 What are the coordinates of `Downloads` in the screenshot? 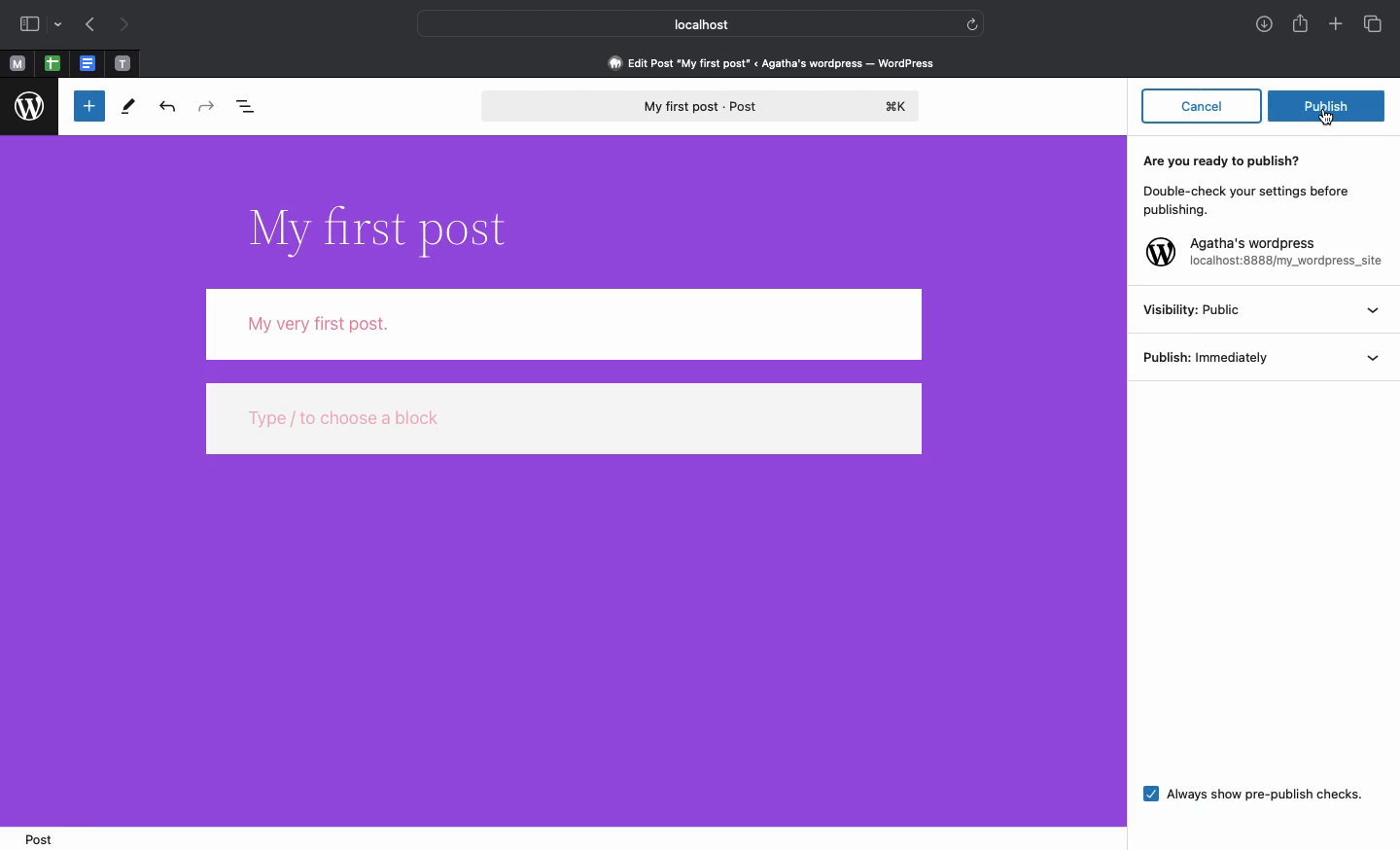 It's located at (1264, 24).